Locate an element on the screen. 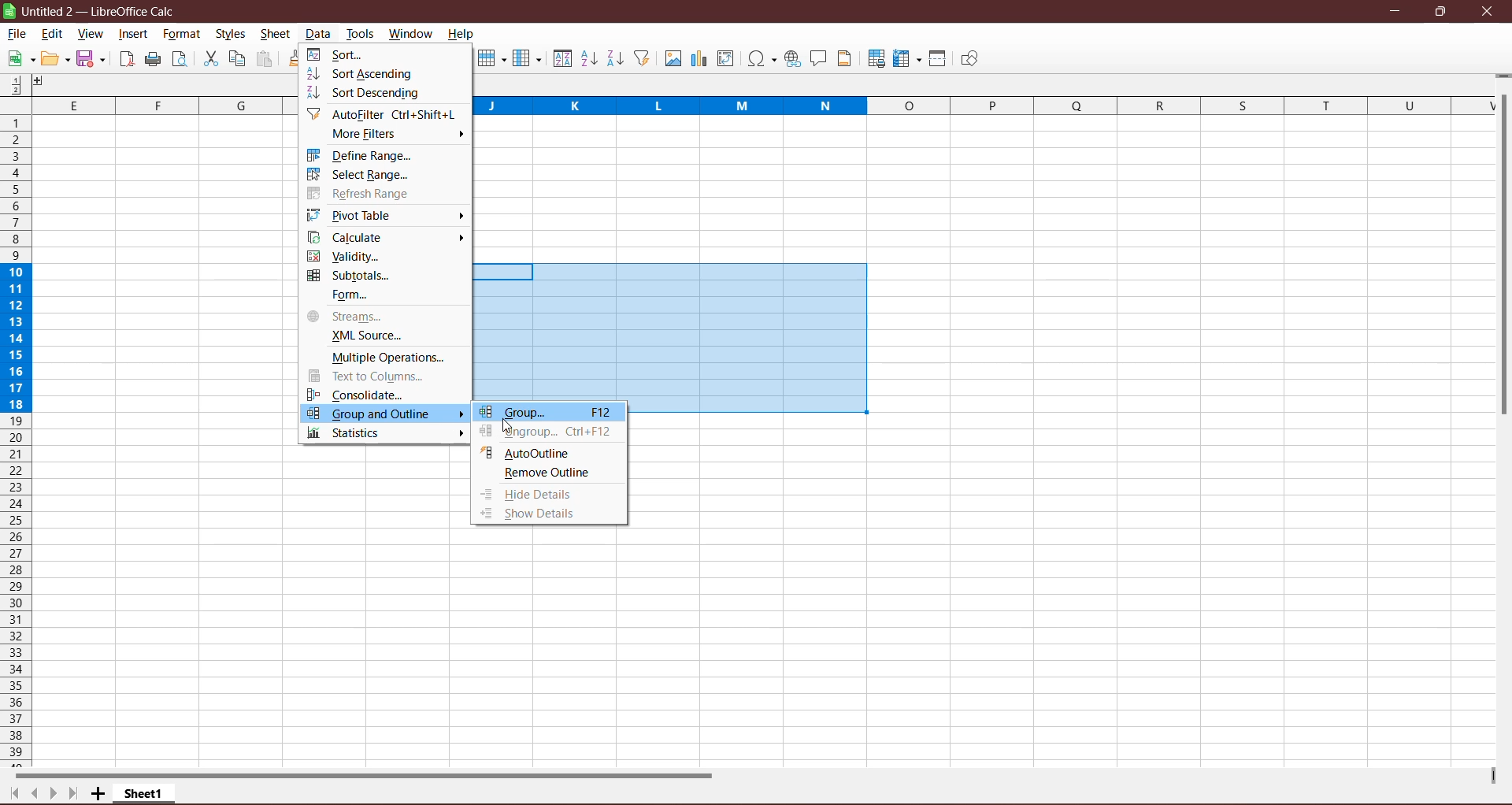 This screenshot has height=805, width=1512. Insert Special Characters is located at coordinates (762, 58).